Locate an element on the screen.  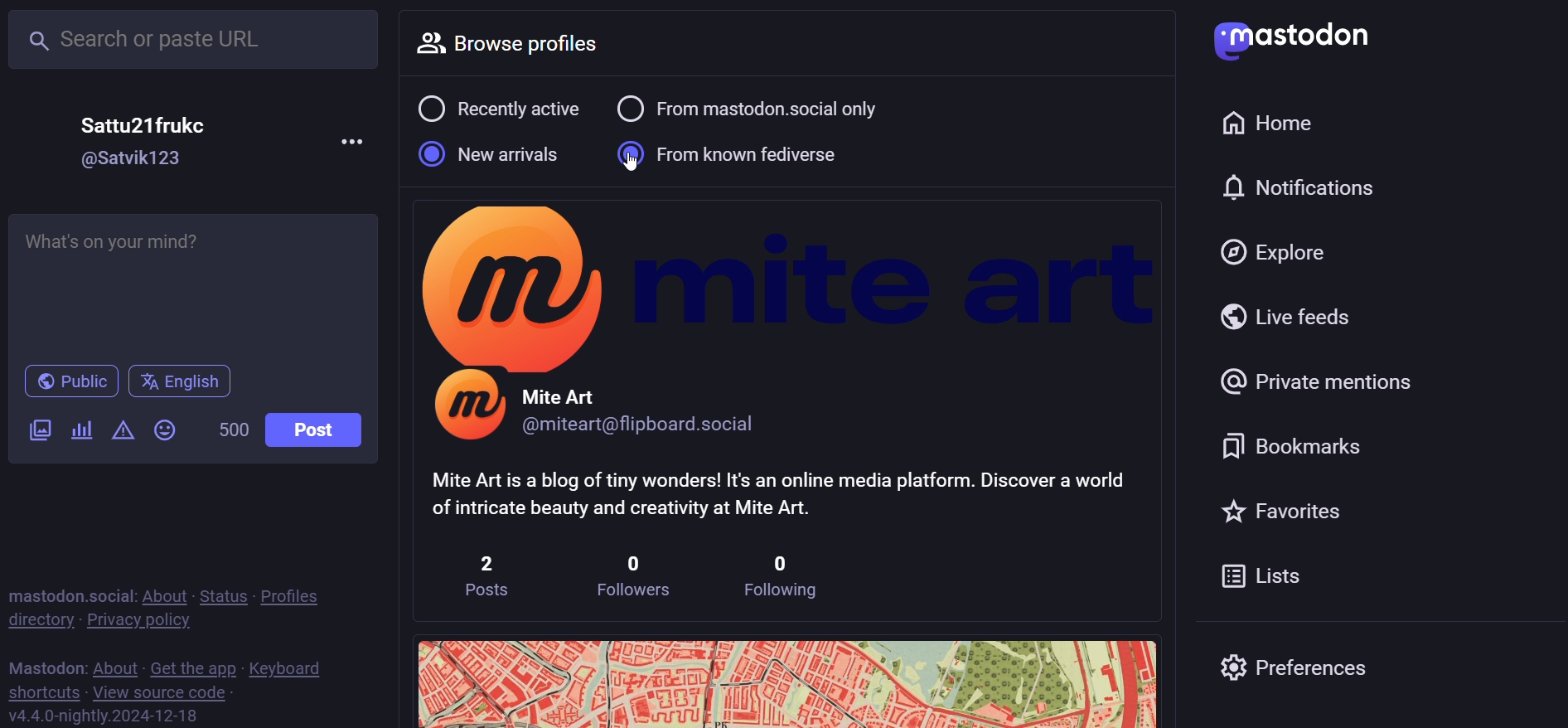
@miteart@flipboard.social is located at coordinates (651, 425).